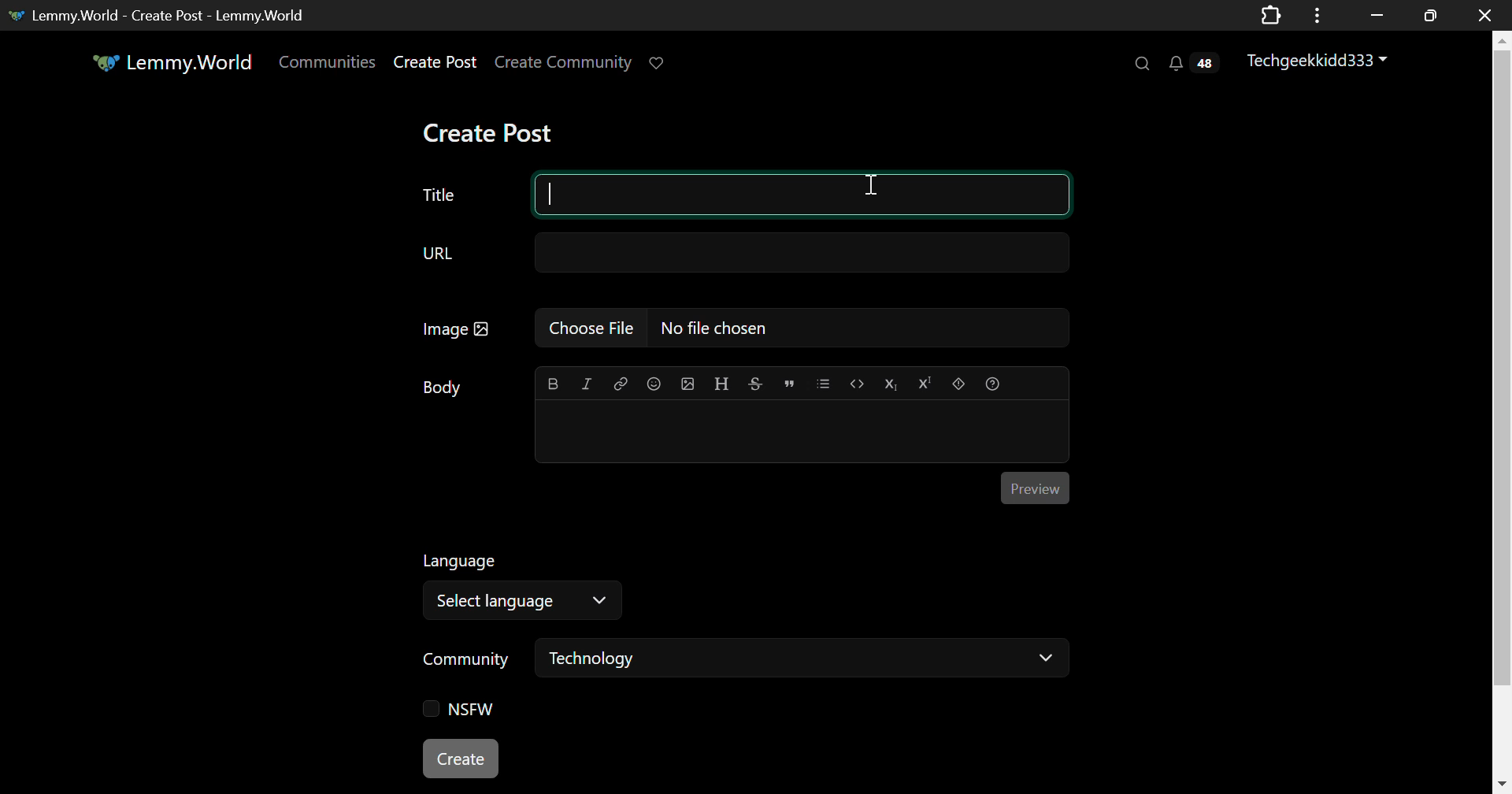 This screenshot has width=1512, height=794. Describe the element at coordinates (1034, 489) in the screenshot. I see `Preview` at that location.